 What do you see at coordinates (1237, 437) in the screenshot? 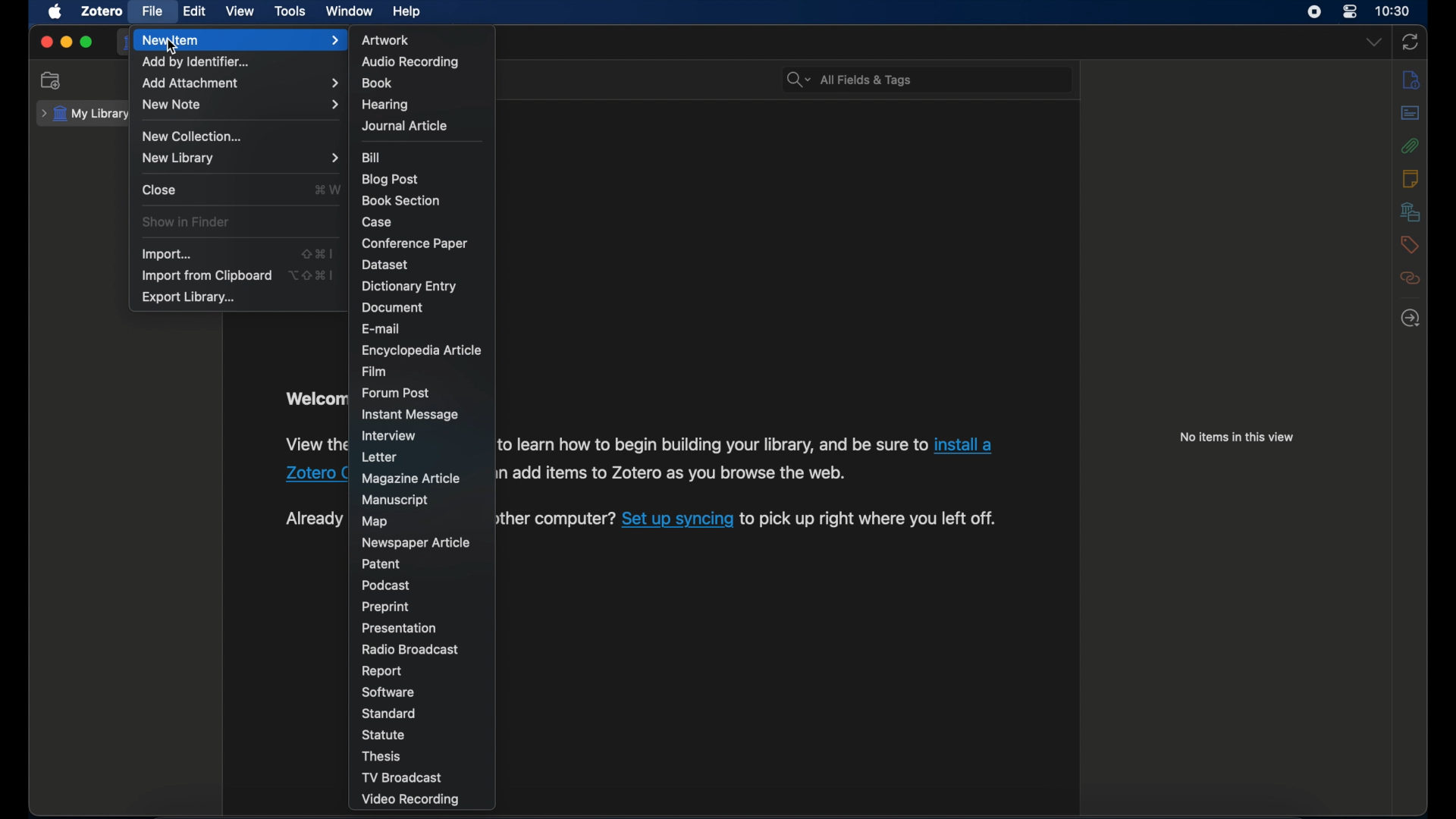
I see `no items in this view` at bounding box center [1237, 437].